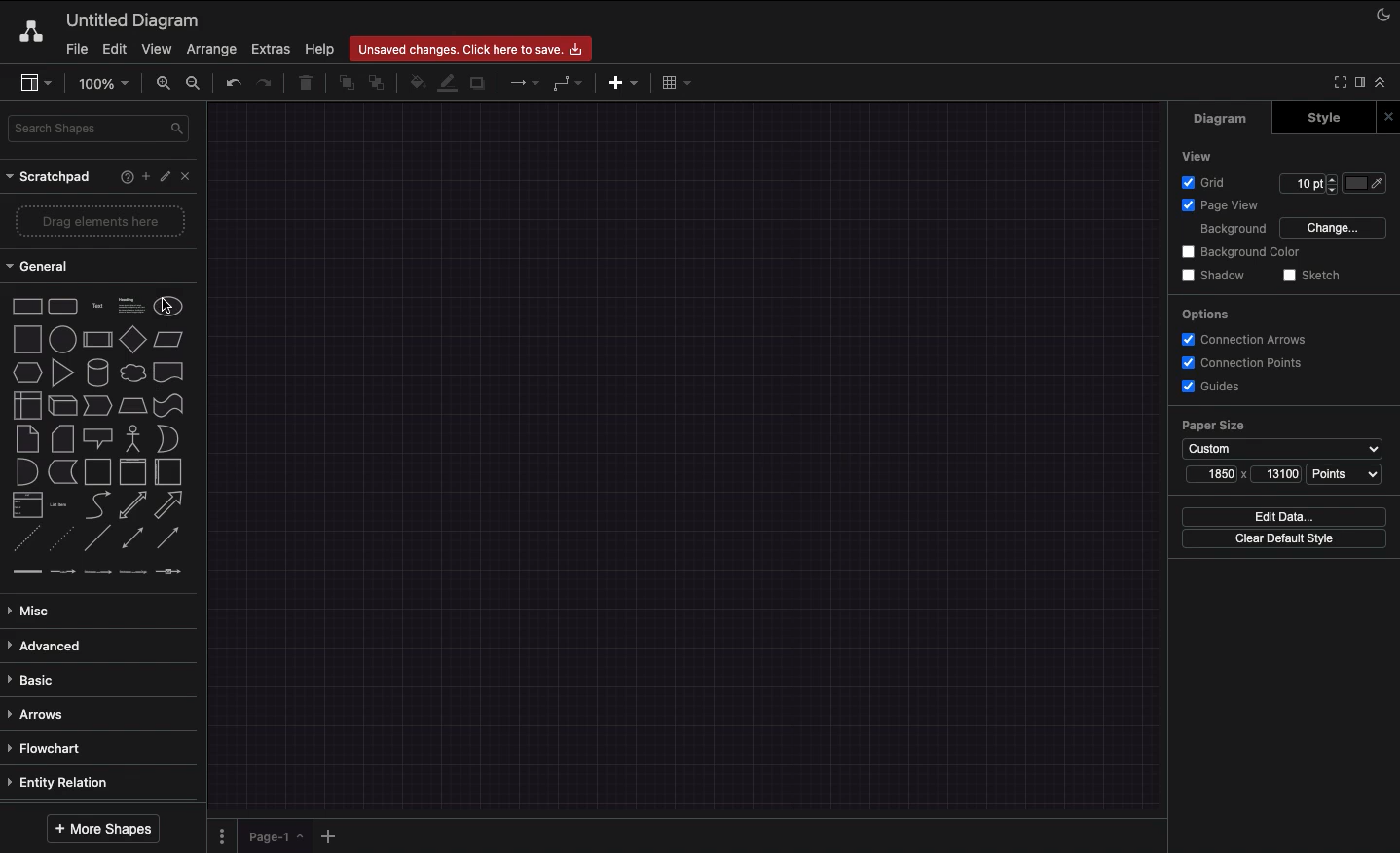 The image size is (1400, 853). What do you see at coordinates (103, 221) in the screenshot?
I see `Drag elements here` at bounding box center [103, 221].